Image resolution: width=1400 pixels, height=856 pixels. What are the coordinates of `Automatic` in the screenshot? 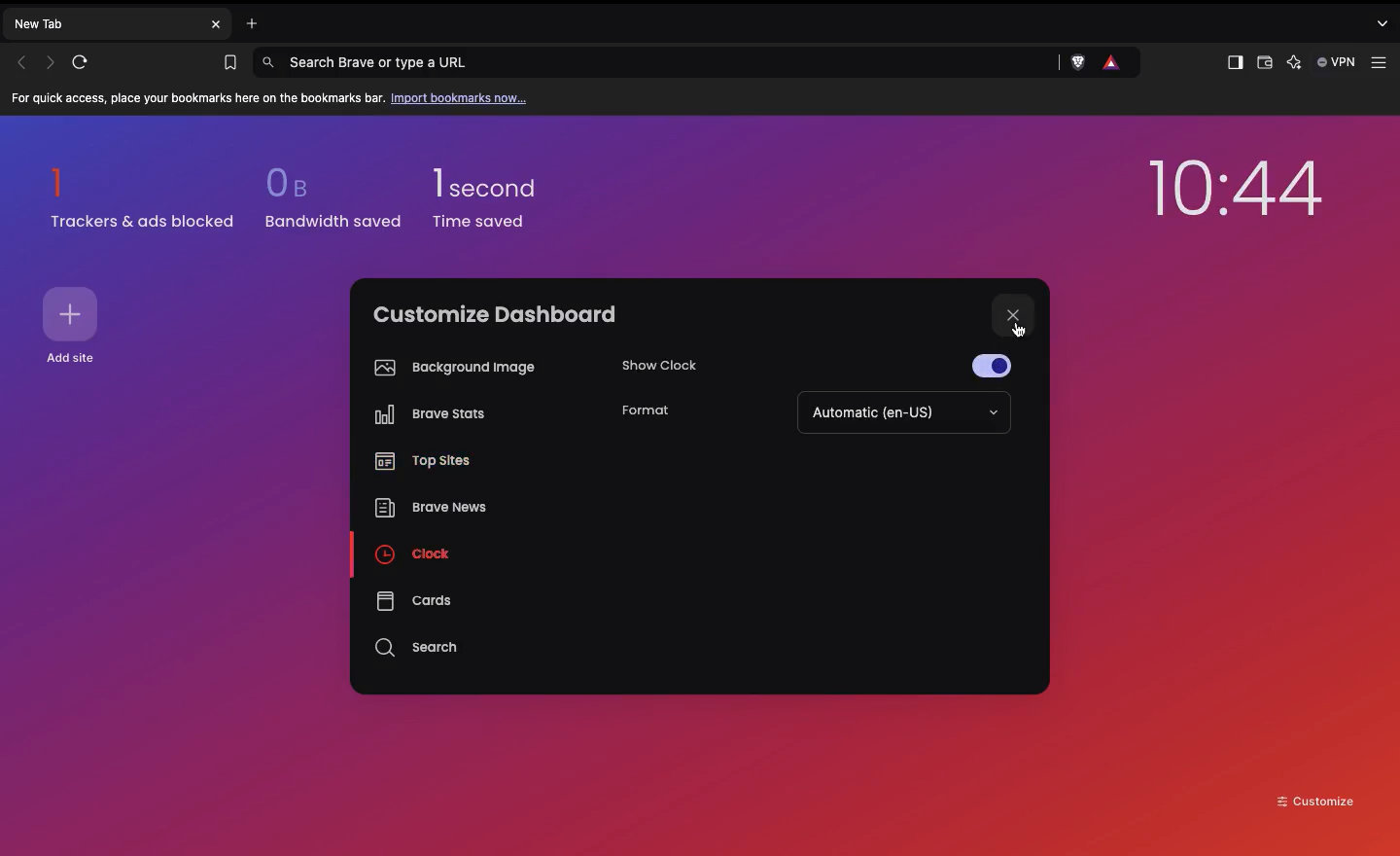 It's located at (903, 413).